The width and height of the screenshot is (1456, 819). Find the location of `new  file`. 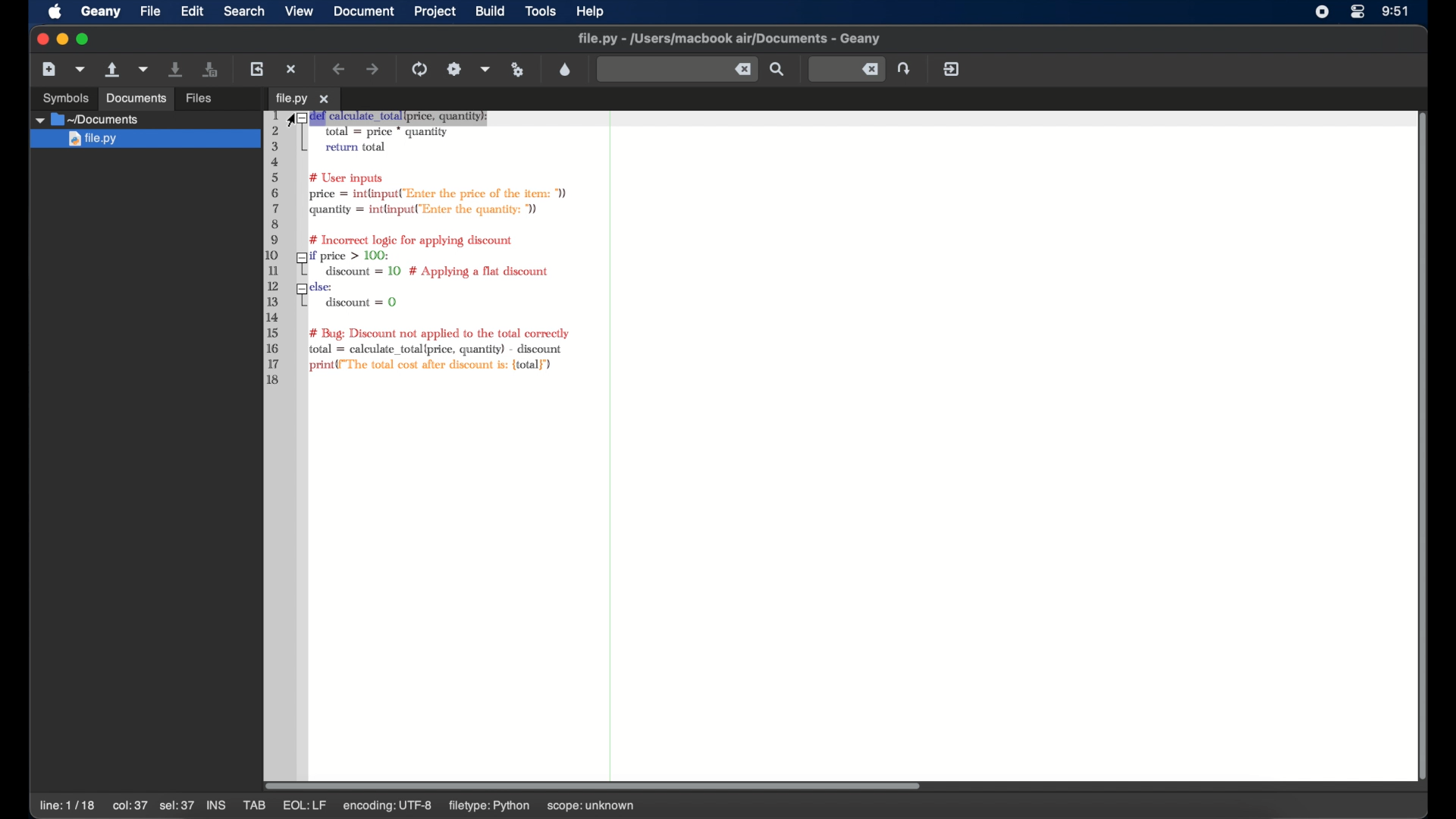

new  file is located at coordinates (49, 69).